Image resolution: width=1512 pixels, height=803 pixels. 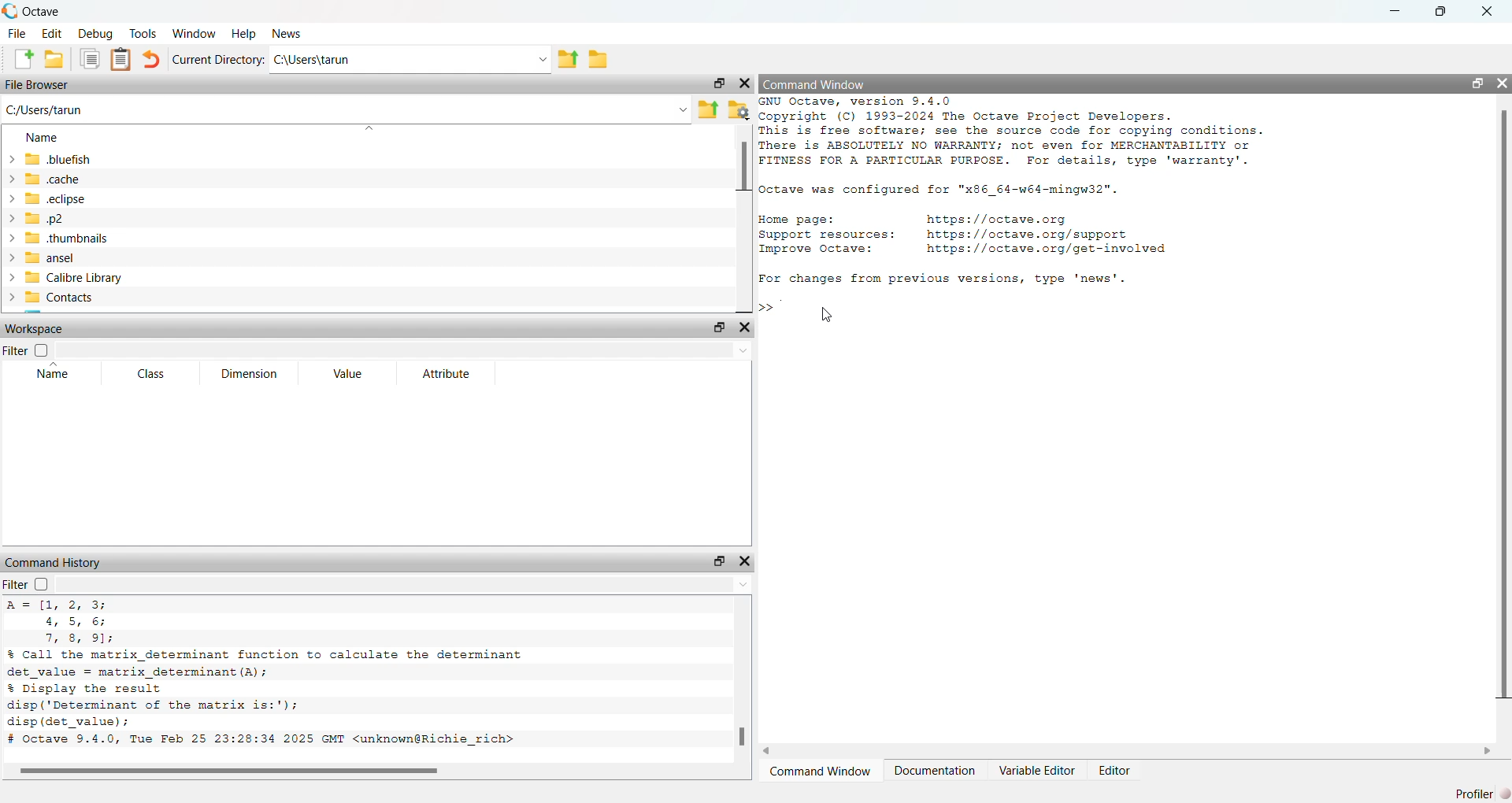 I want to click on close, so click(x=746, y=560).